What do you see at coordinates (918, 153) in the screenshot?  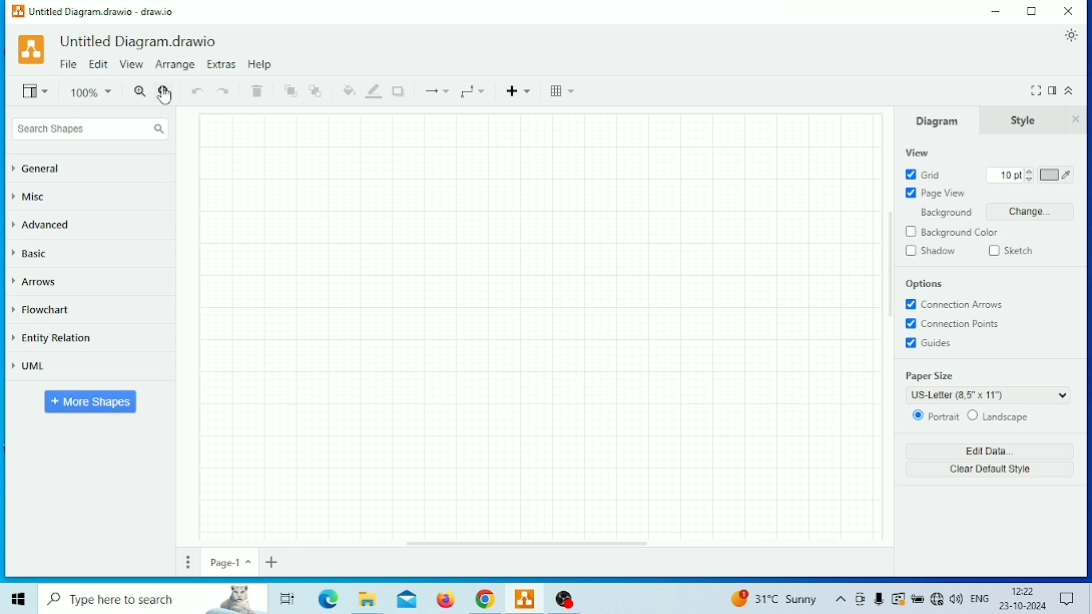 I see `View` at bounding box center [918, 153].